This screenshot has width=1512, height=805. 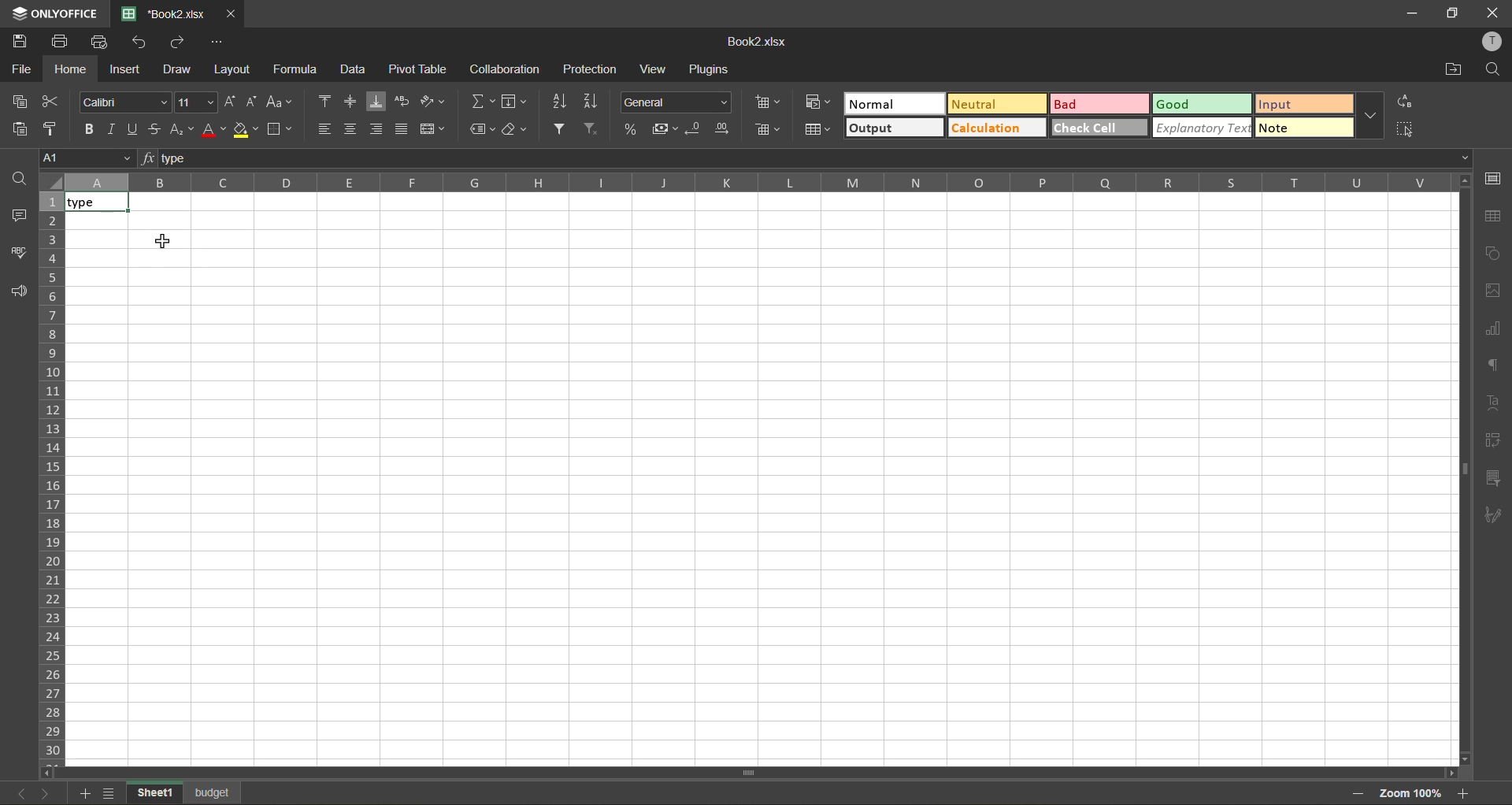 What do you see at coordinates (1406, 102) in the screenshot?
I see `replace` at bounding box center [1406, 102].